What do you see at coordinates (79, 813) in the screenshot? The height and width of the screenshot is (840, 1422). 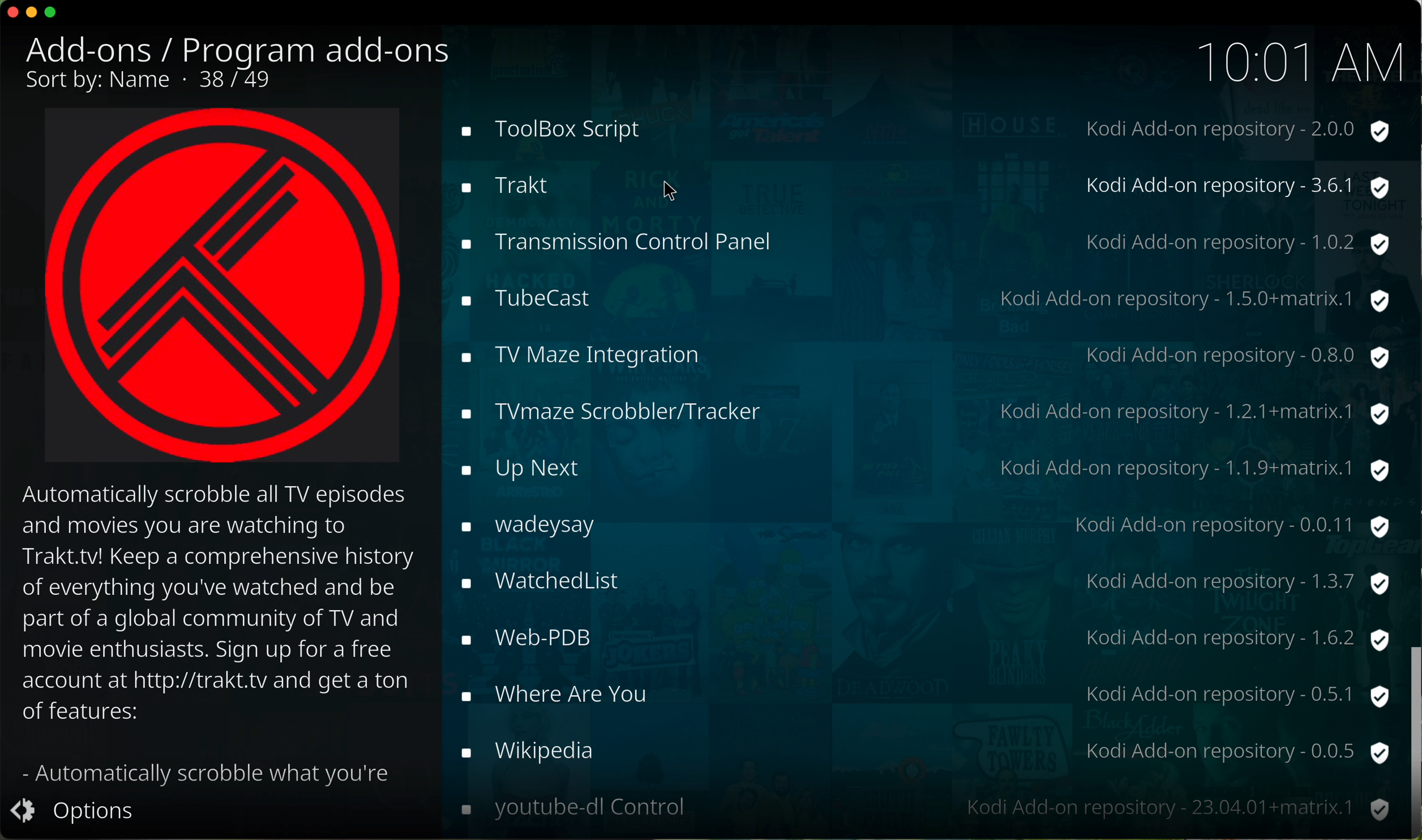 I see `options` at bounding box center [79, 813].